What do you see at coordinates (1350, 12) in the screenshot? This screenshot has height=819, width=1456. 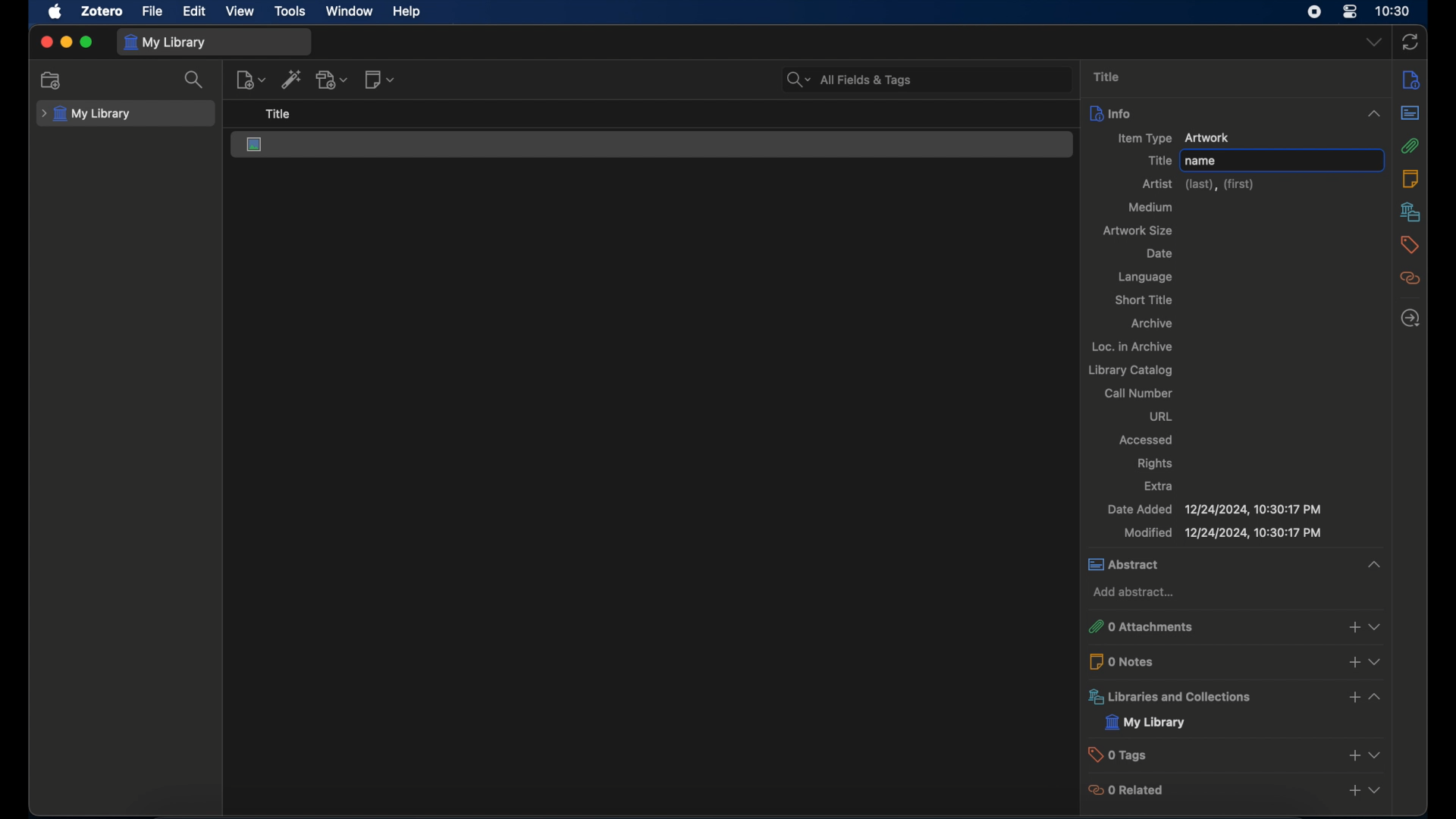 I see `control center` at bounding box center [1350, 12].